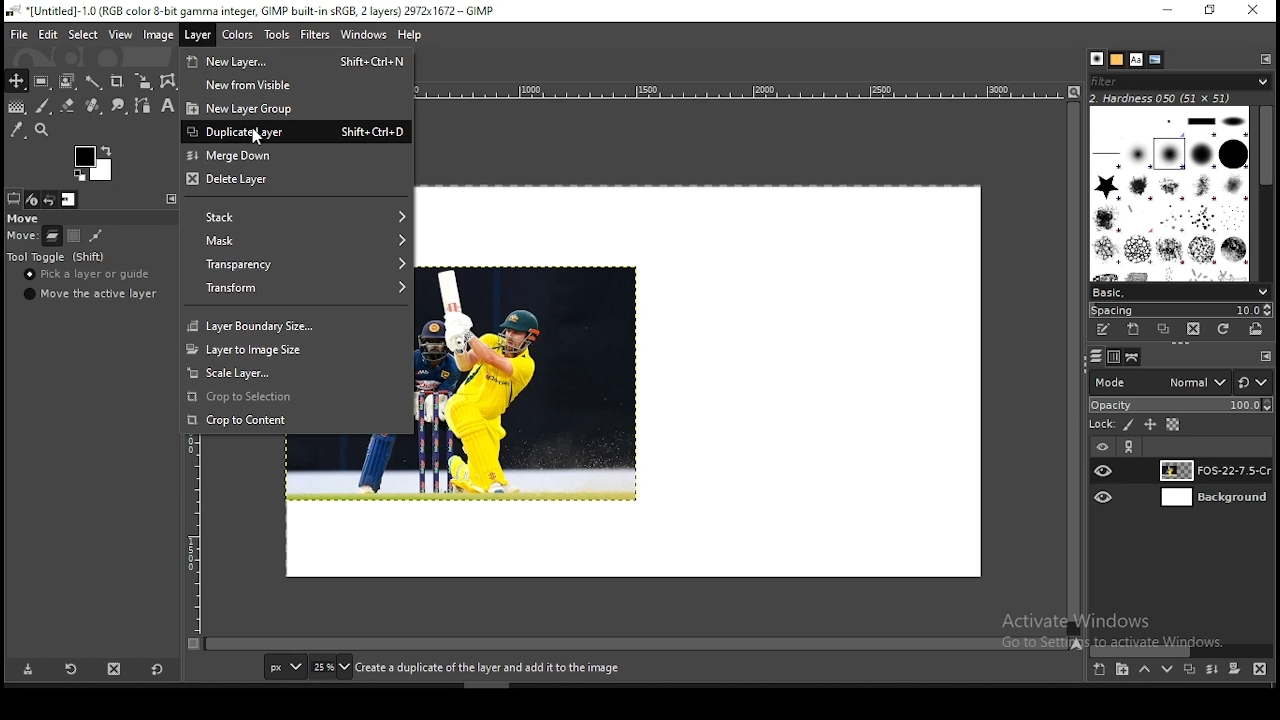 Image resolution: width=1280 pixels, height=720 pixels. What do you see at coordinates (1193, 329) in the screenshot?
I see `delete brush` at bounding box center [1193, 329].